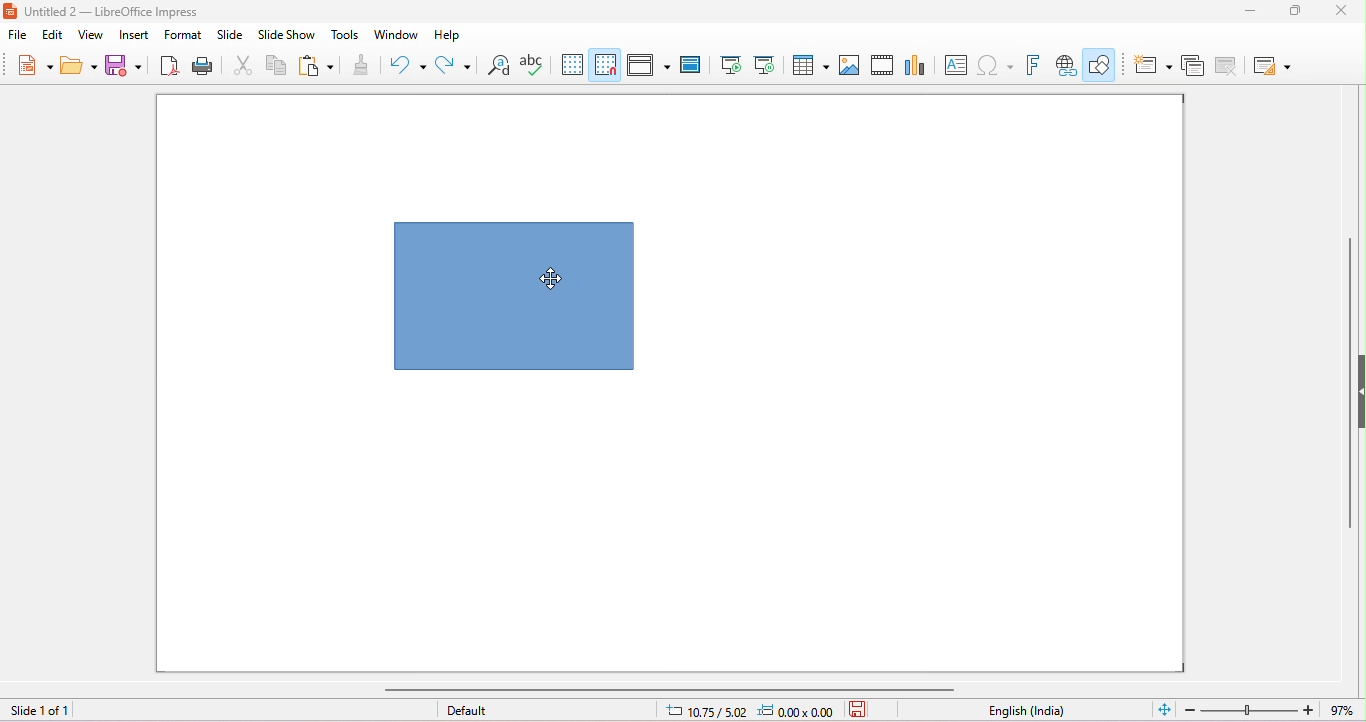  Describe the element at coordinates (708, 712) in the screenshot. I see `10.75/5.02 (cursor position)` at that location.